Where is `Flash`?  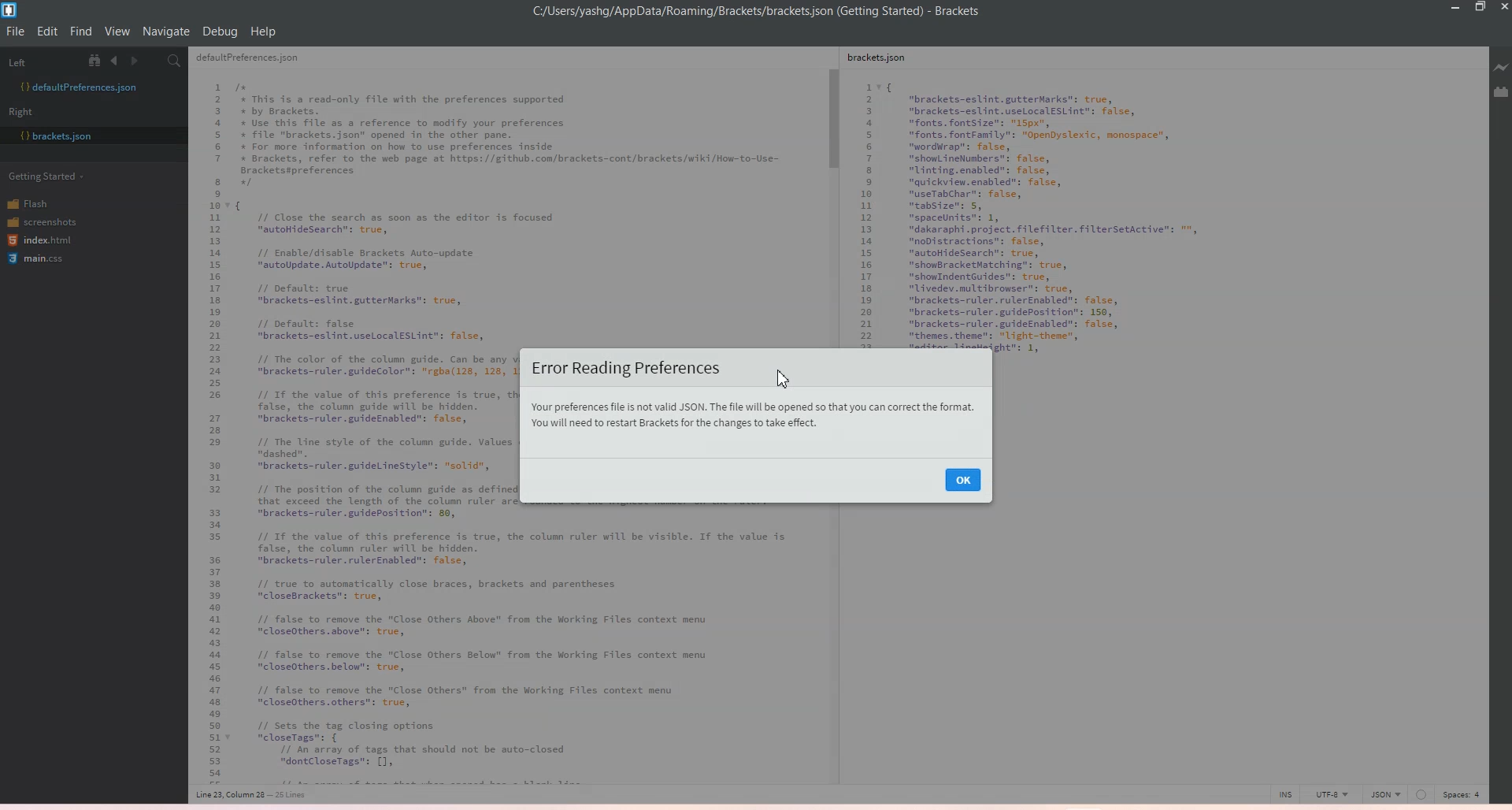 Flash is located at coordinates (39, 202).